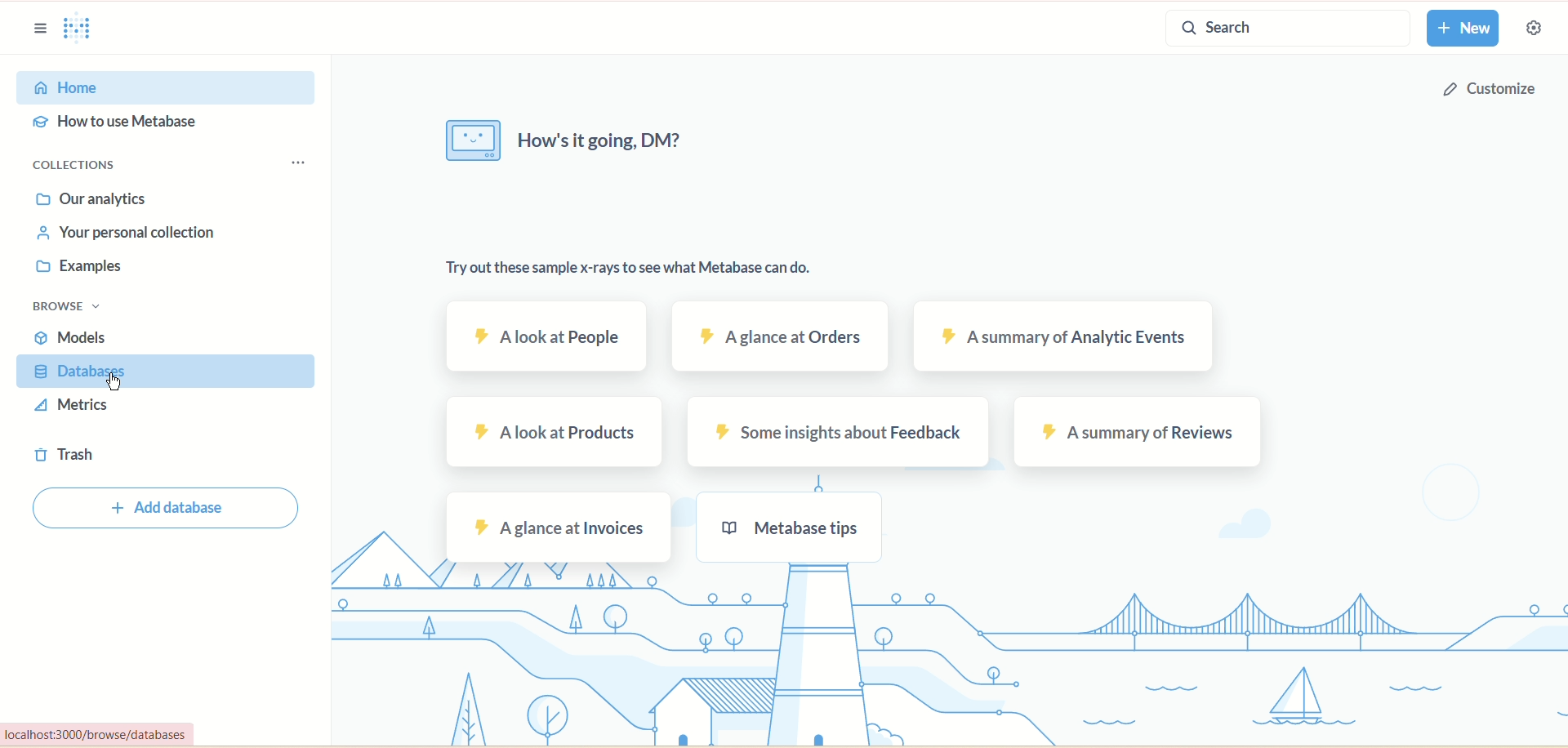 The image size is (1568, 748). I want to click on collections, so click(89, 167).